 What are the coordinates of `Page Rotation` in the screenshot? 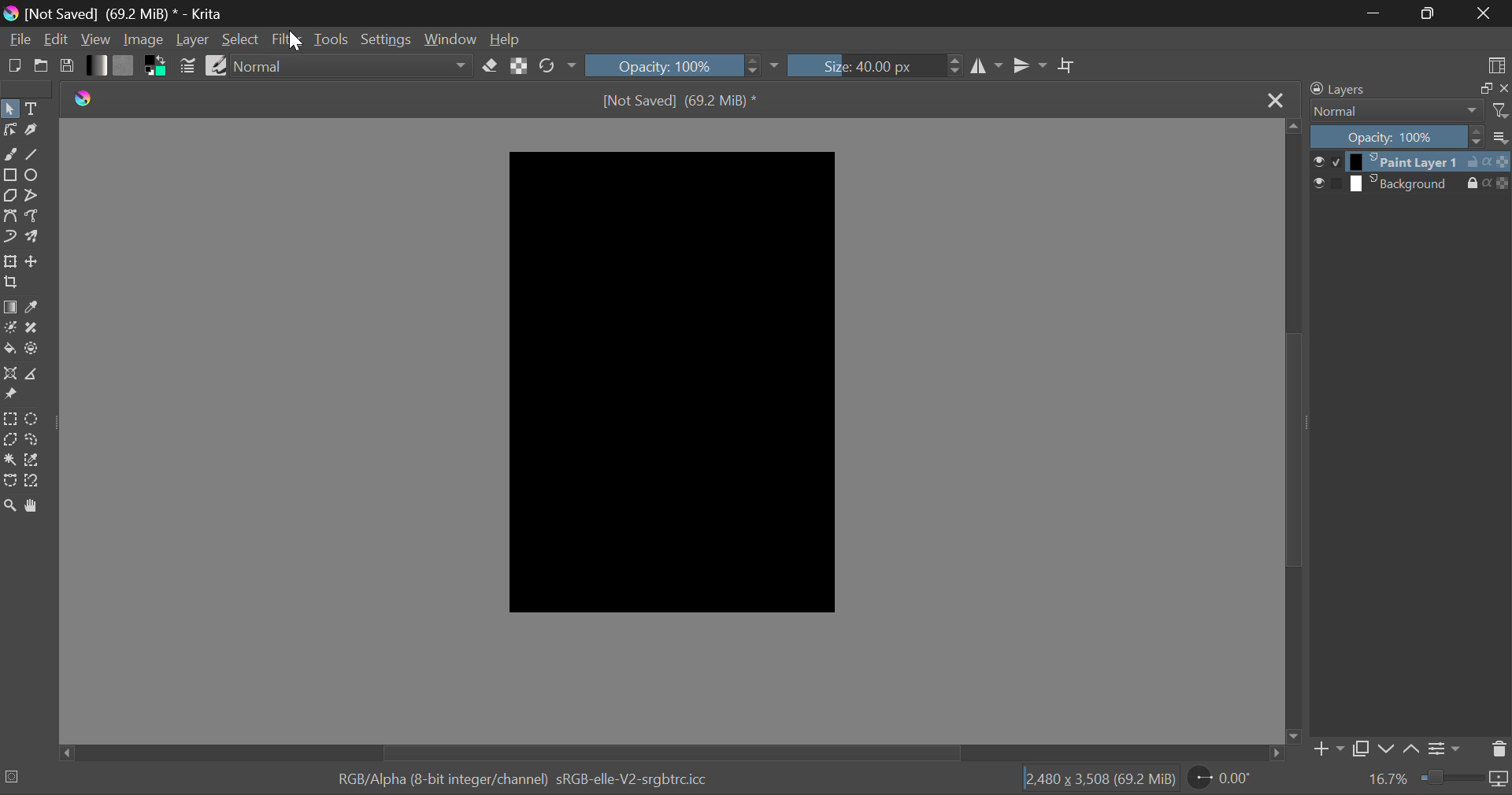 It's located at (1223, 782).